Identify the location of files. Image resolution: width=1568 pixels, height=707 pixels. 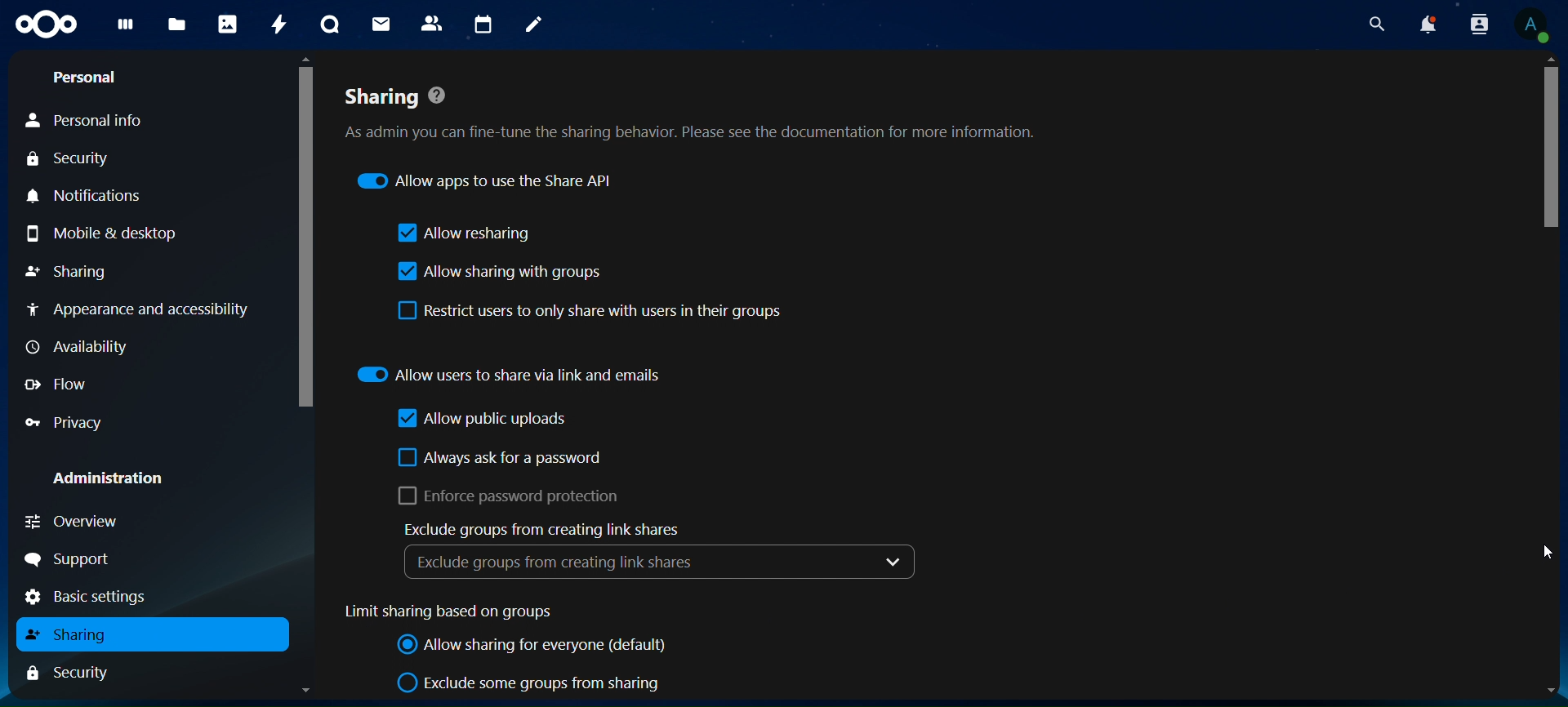
(176, 25).